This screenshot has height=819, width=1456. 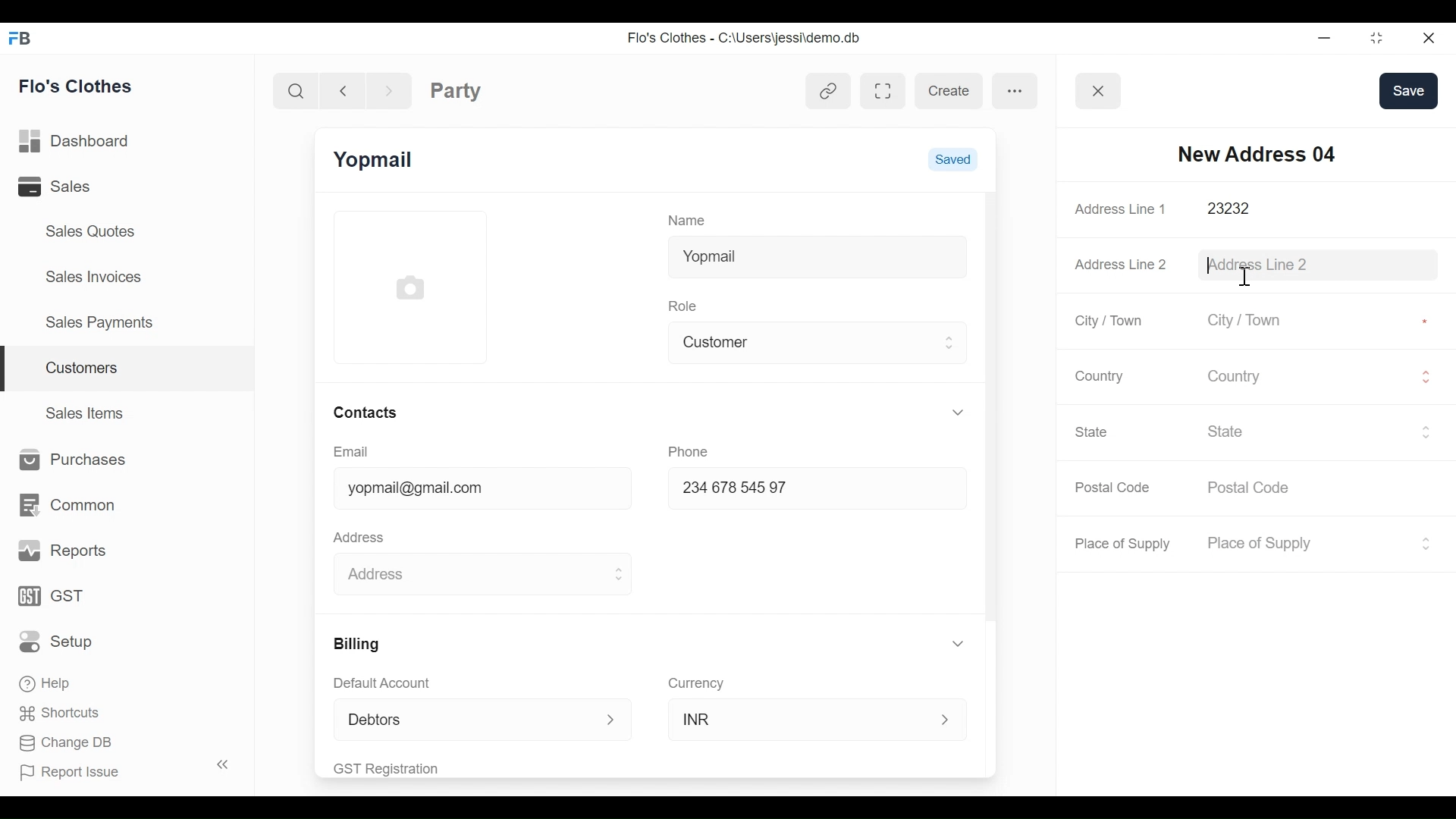 What do you see at coordinates (469, 490) in the screenshot?
I see `yopmail@gmail.com` at bounding box center [469, 490].